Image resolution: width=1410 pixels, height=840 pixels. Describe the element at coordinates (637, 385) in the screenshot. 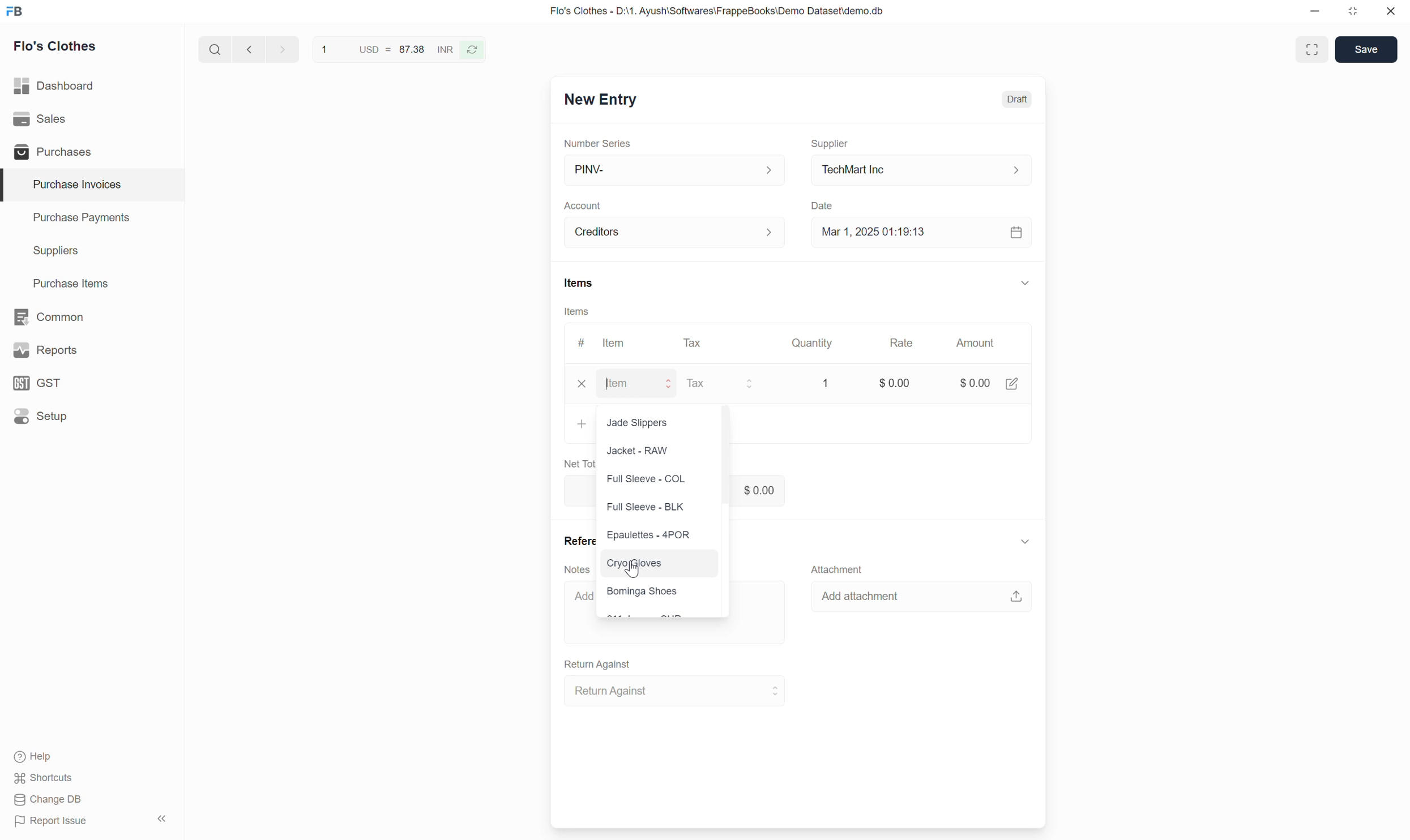

I see `Item` at that location.